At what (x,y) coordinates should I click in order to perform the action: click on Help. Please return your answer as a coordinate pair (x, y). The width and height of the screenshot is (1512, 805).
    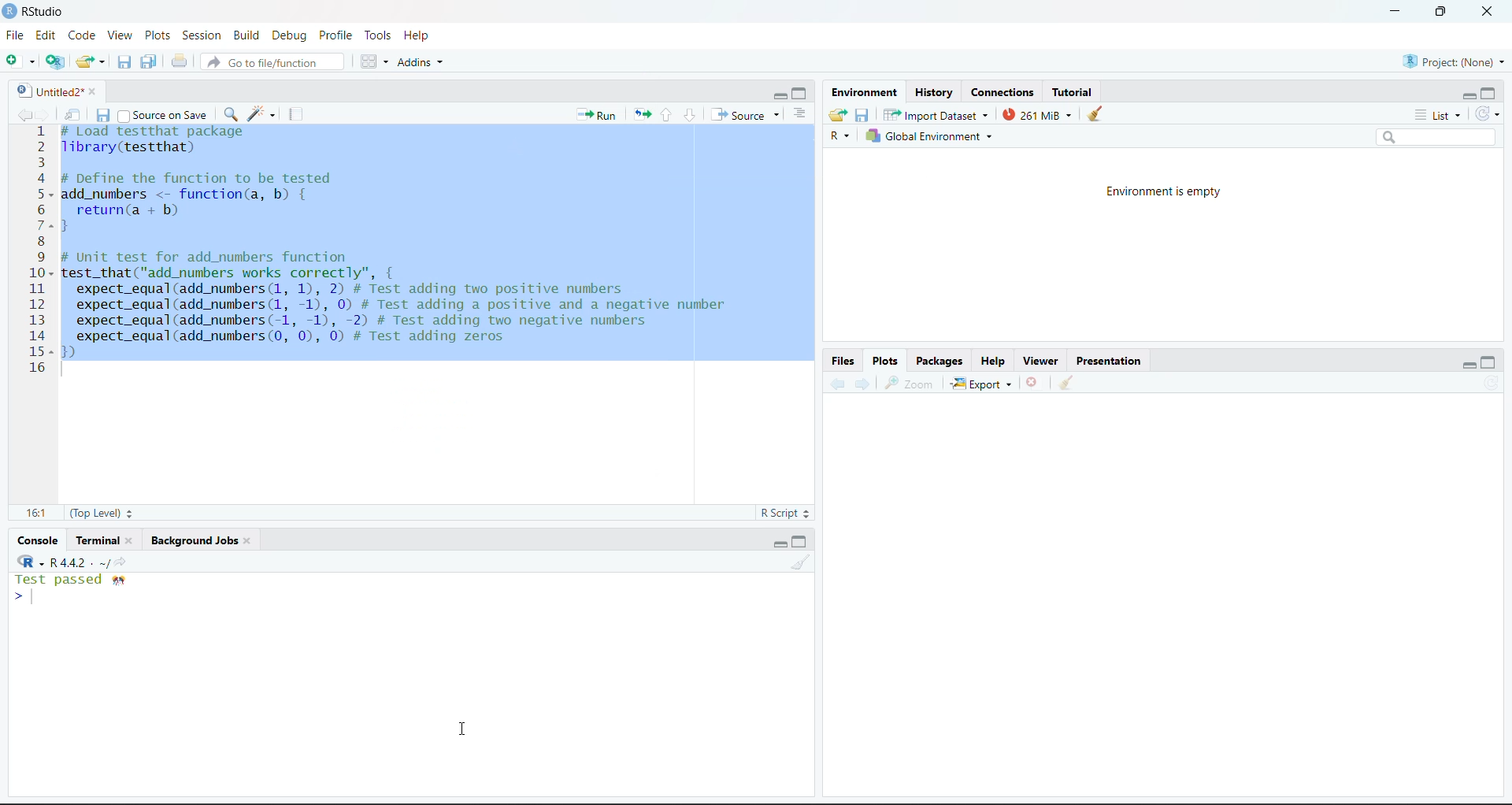
    Looking at the image, I should click on (989, 361).